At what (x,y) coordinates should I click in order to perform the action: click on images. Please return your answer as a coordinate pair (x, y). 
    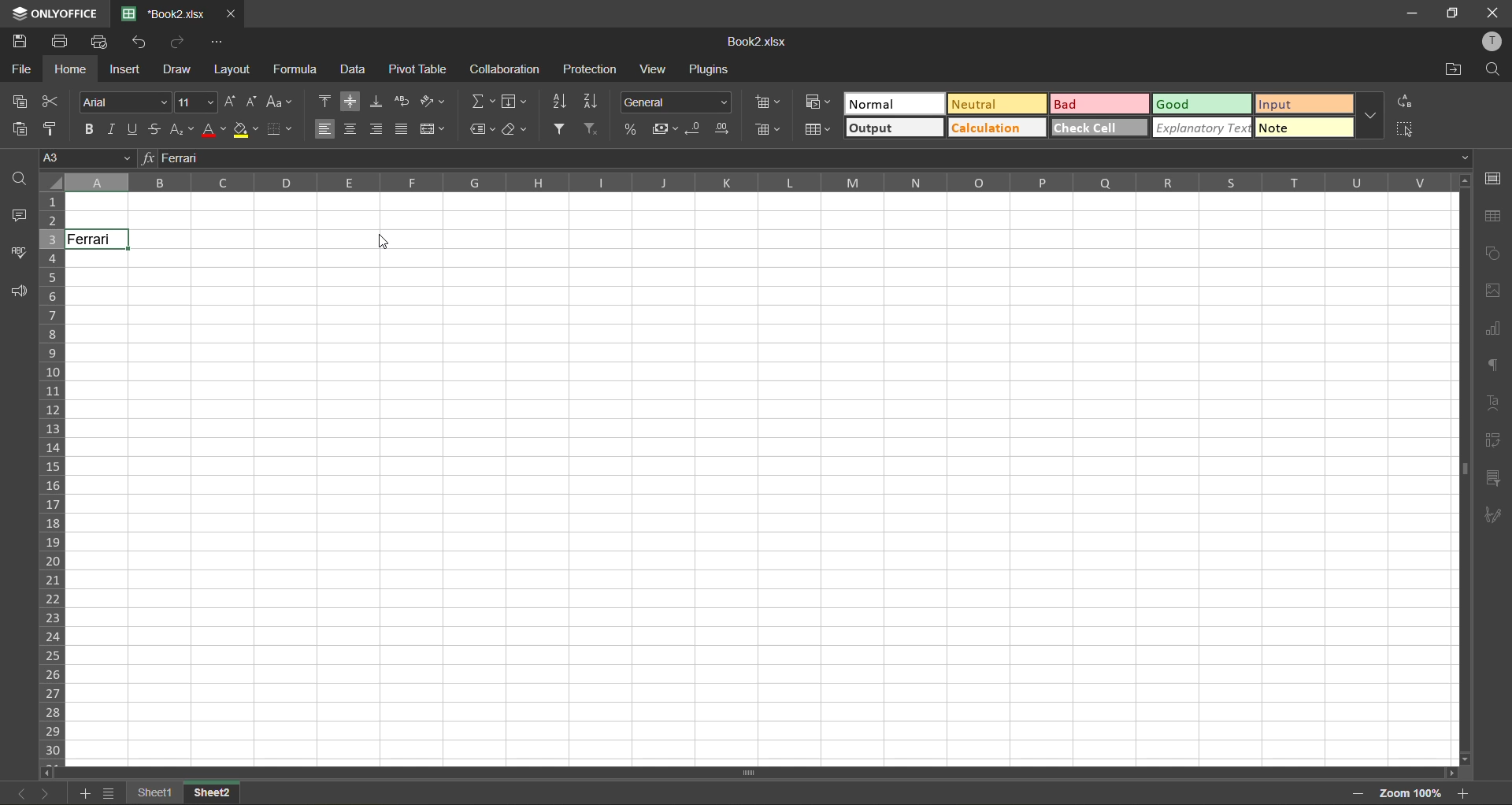
    Looking at the image, I should click on (1493, 291).